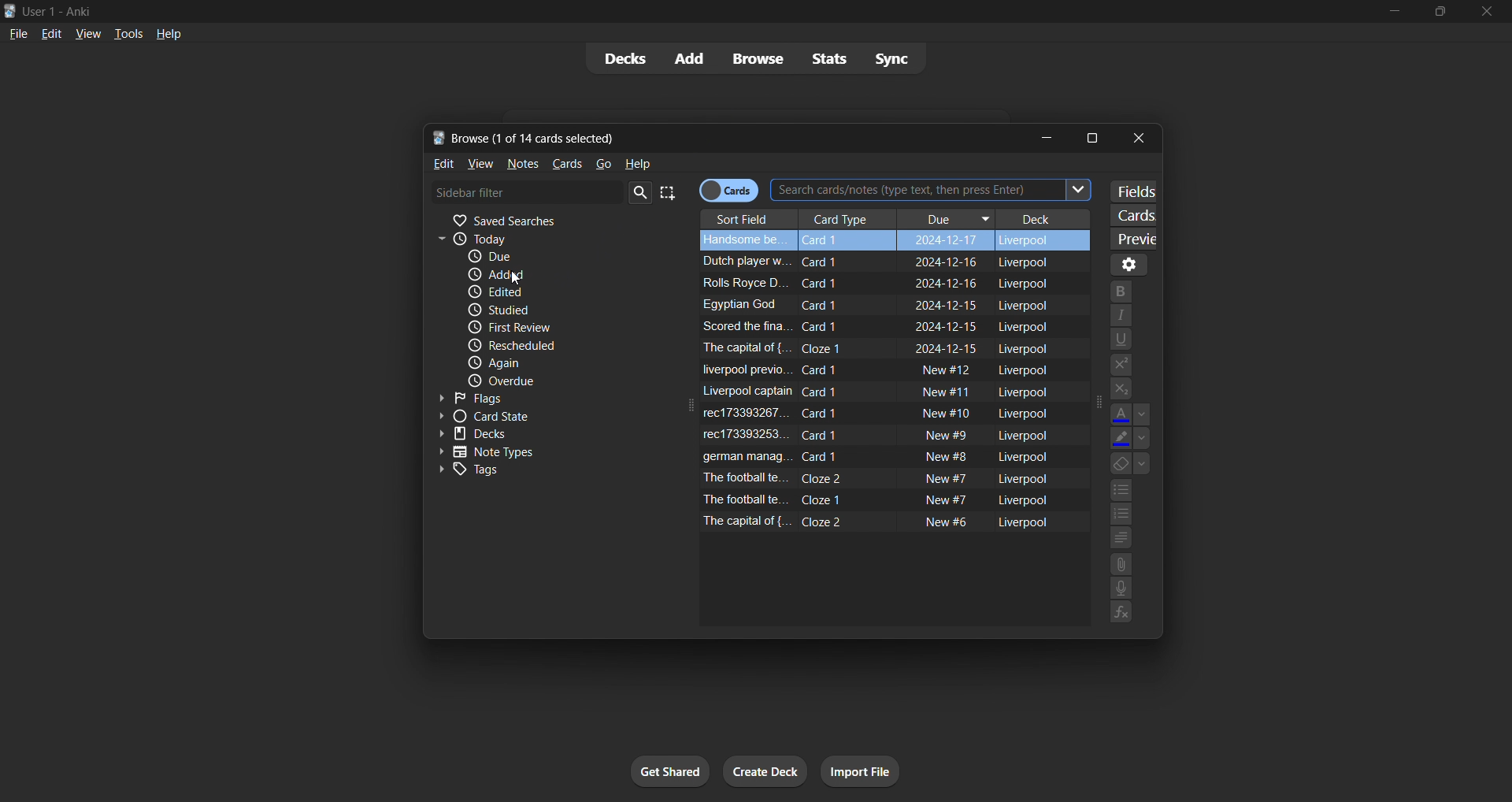  Describe the element at coordinates (734, 190) in the screenshot. I see `cards/notes toggle` at that location.